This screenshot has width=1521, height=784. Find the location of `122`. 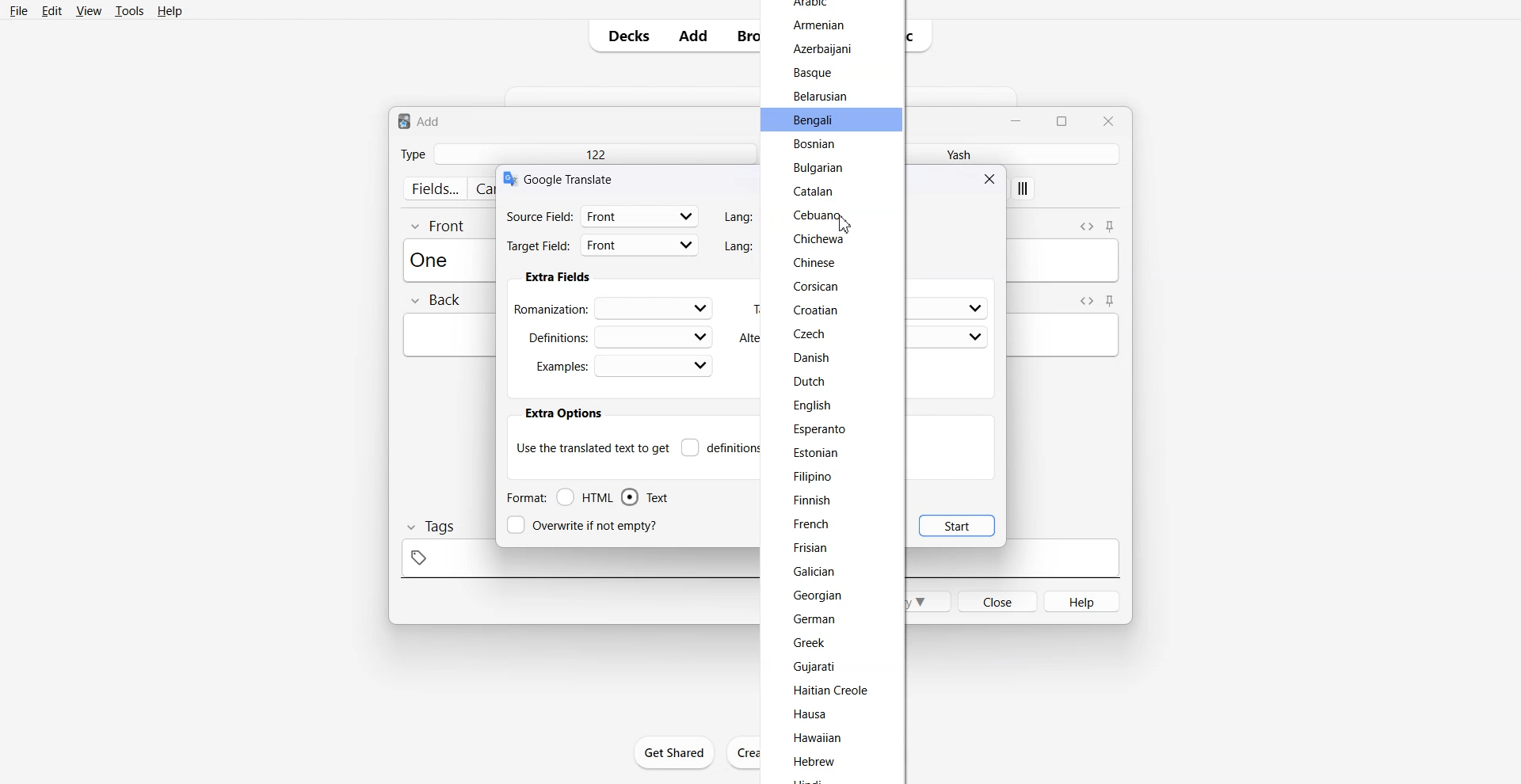

122 is located at coordinates (594, 154).